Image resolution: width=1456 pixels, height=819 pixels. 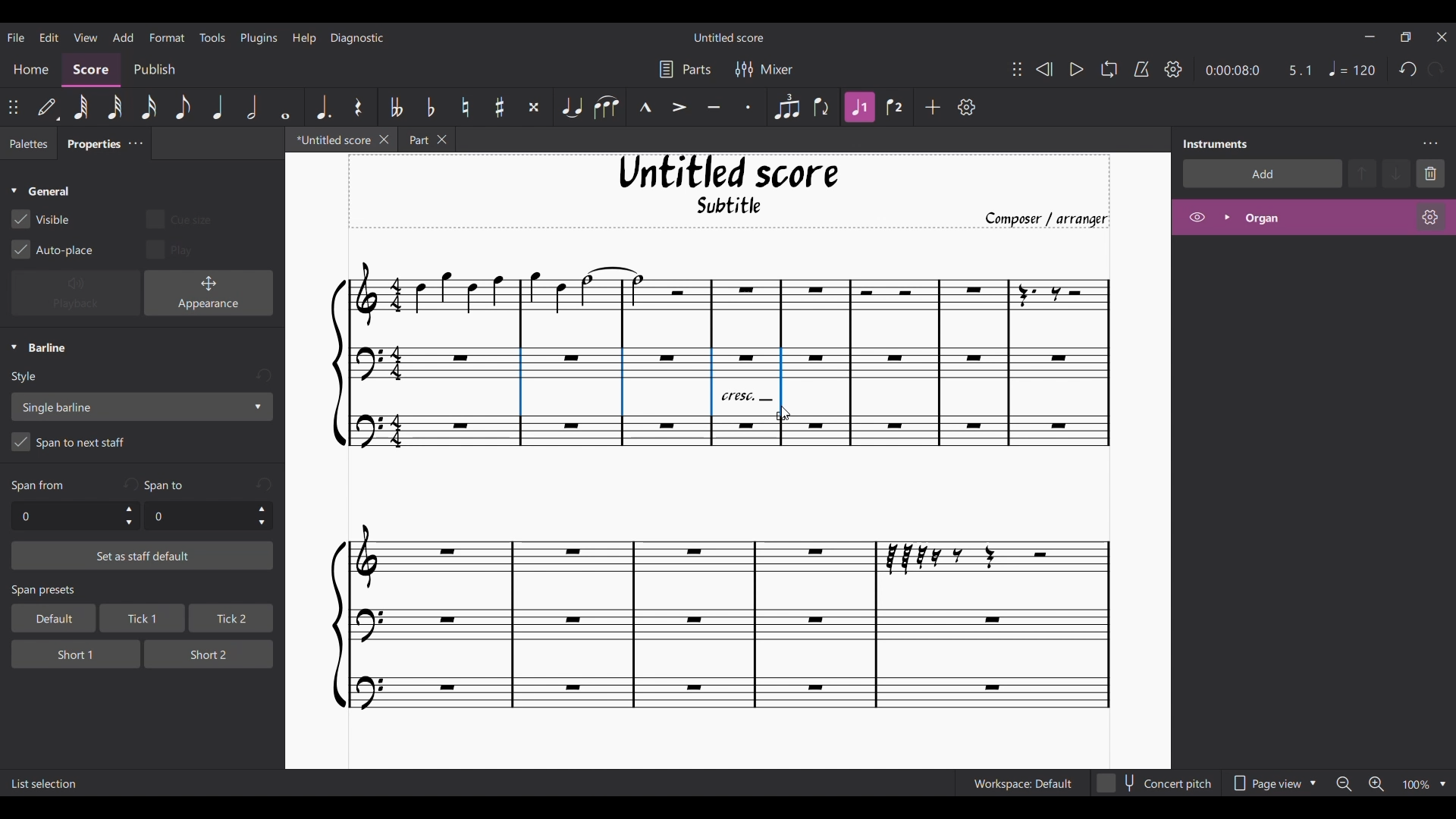 What do you see at coordinates (322, 106) in the screenshot?
I see `Augmentation dot` at bounding box center [322, 106].